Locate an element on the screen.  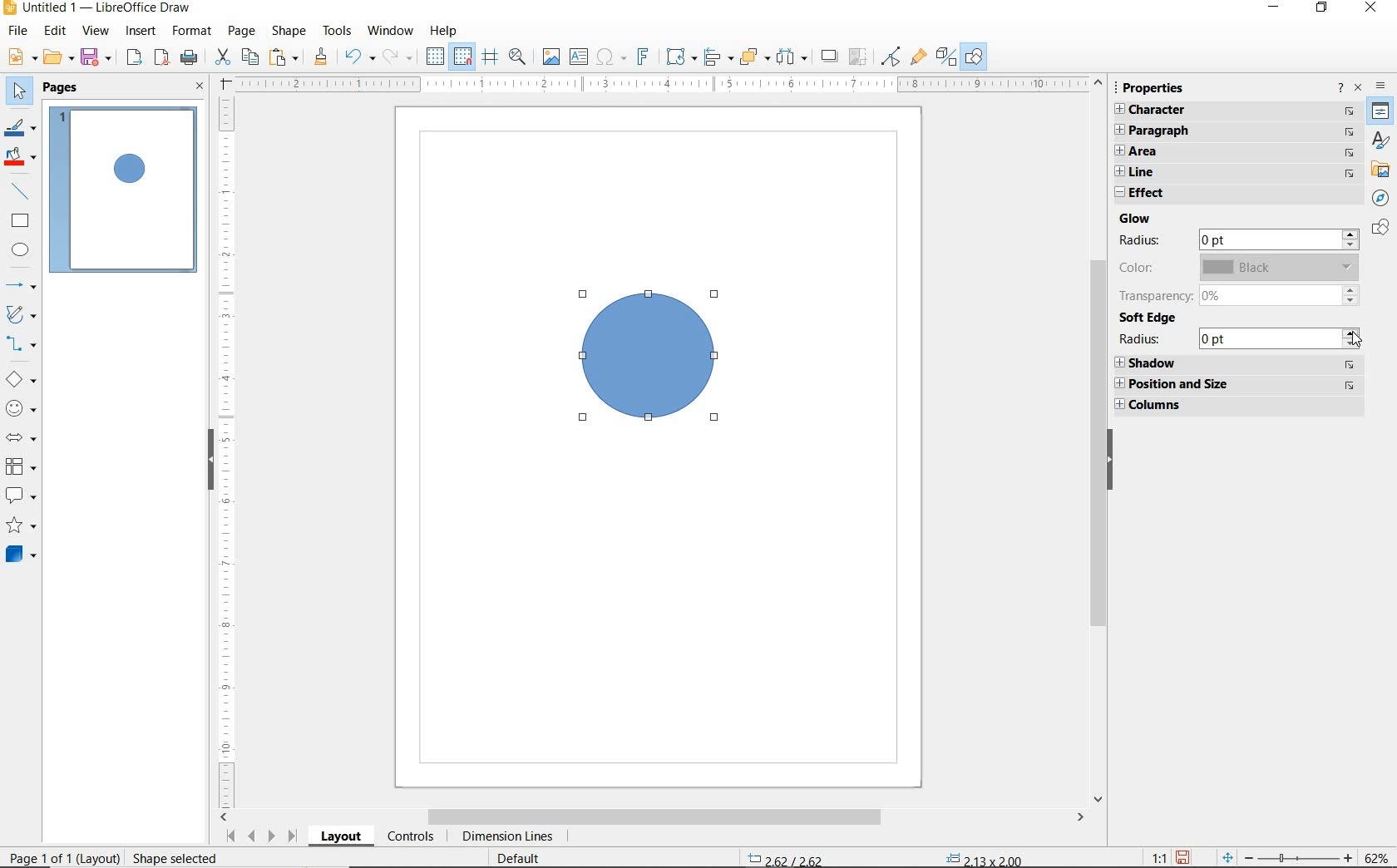
COPY is located at coordinates (250, 58).